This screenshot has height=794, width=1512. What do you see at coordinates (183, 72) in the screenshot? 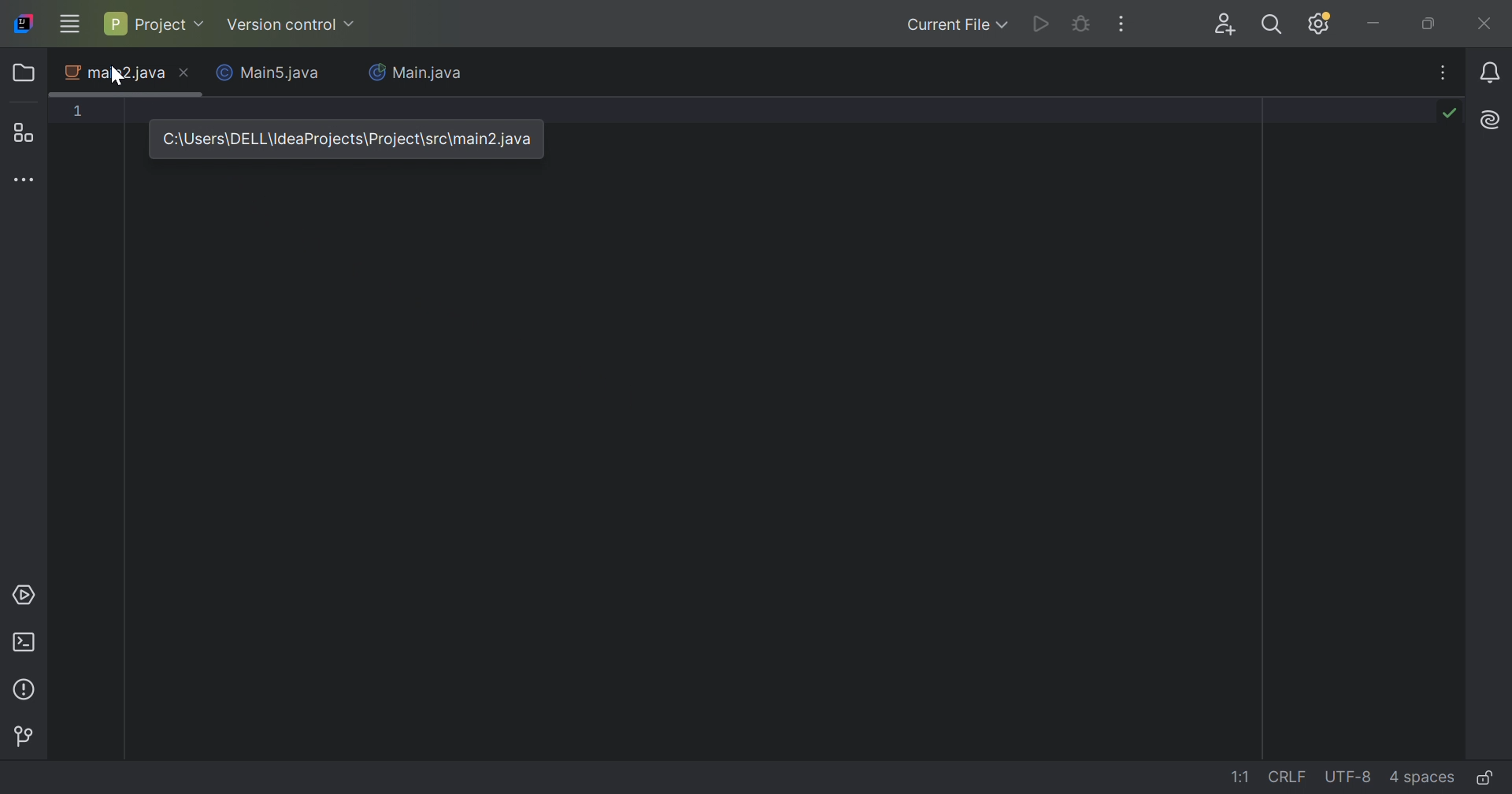
I see `Pinned tab` at bounding box center [183, 72].